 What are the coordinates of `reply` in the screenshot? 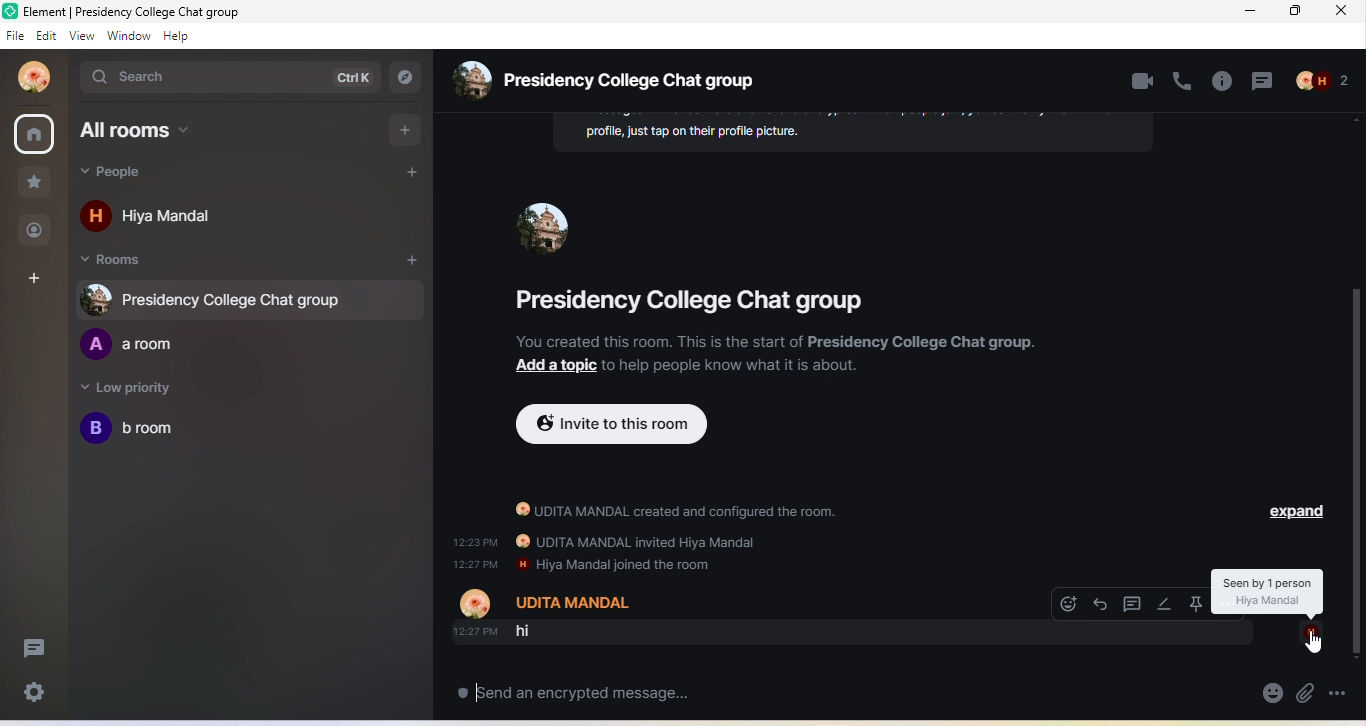 It's located at (1101, 604).